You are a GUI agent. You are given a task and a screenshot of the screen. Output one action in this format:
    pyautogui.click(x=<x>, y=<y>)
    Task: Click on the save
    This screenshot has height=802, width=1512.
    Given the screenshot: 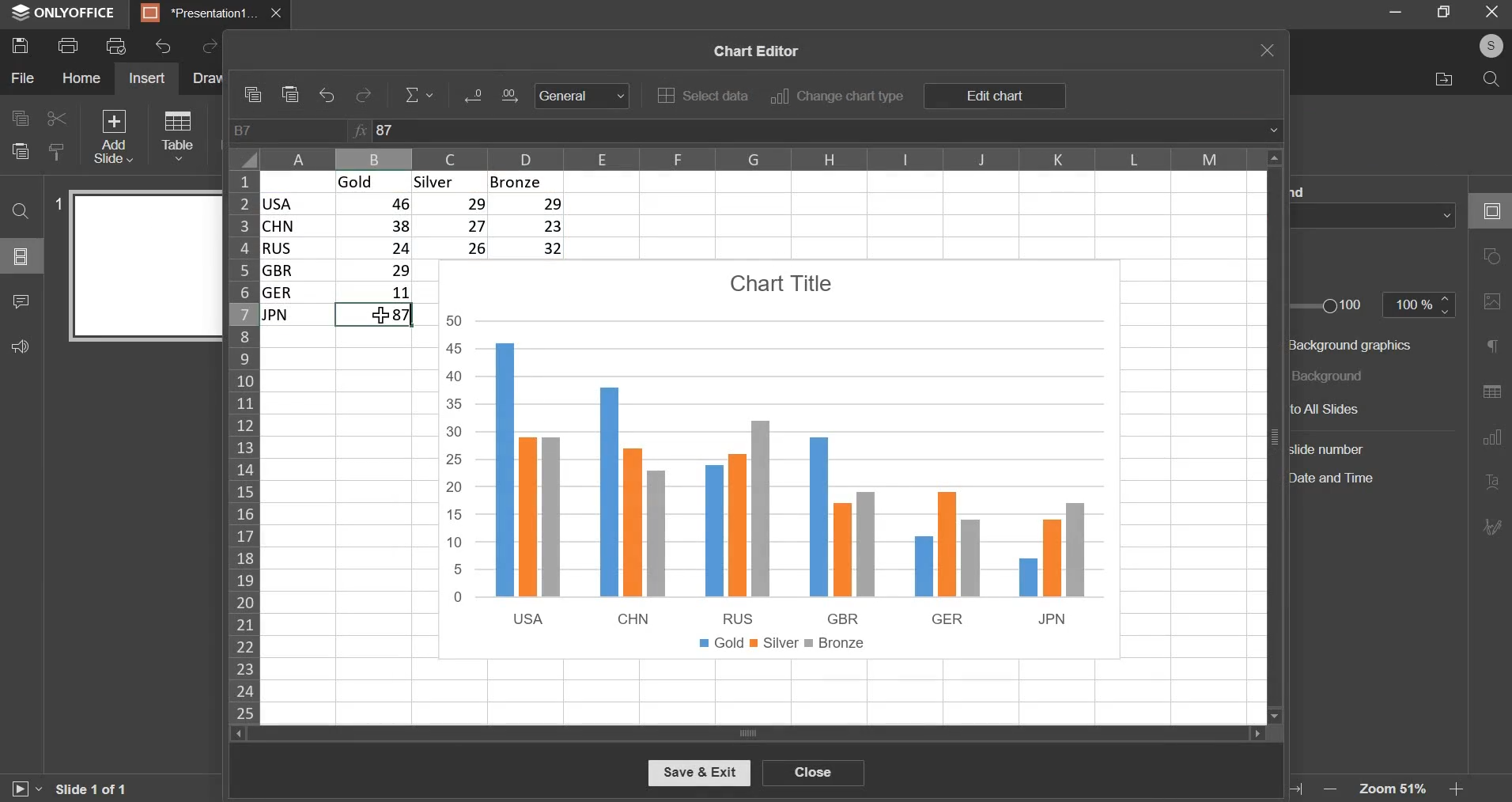 What is the action you would take?
    pyautogui.click(x=20, y=46)
    